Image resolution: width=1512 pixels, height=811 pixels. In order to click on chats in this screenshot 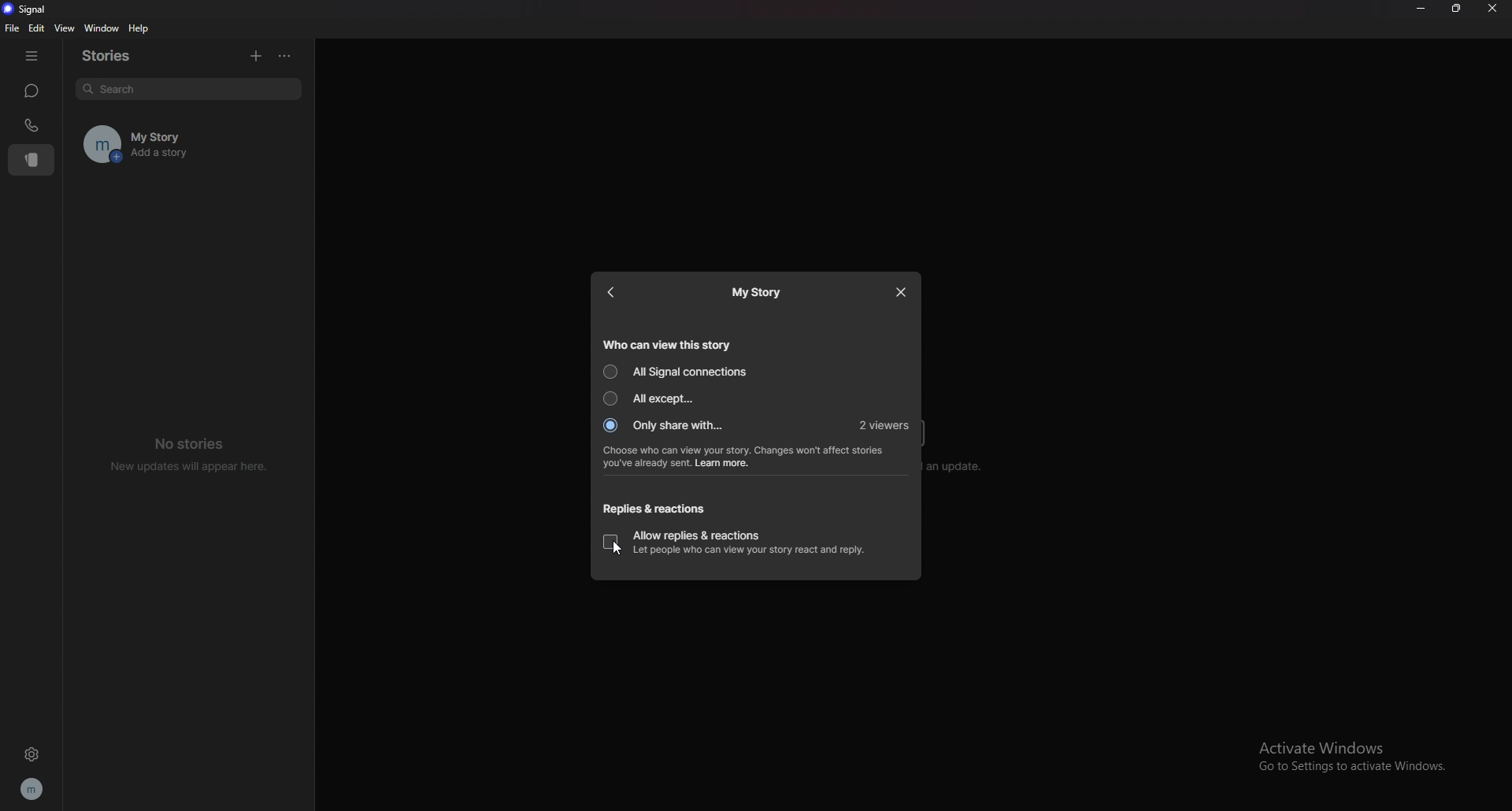, I will do `click(32, 91)`.